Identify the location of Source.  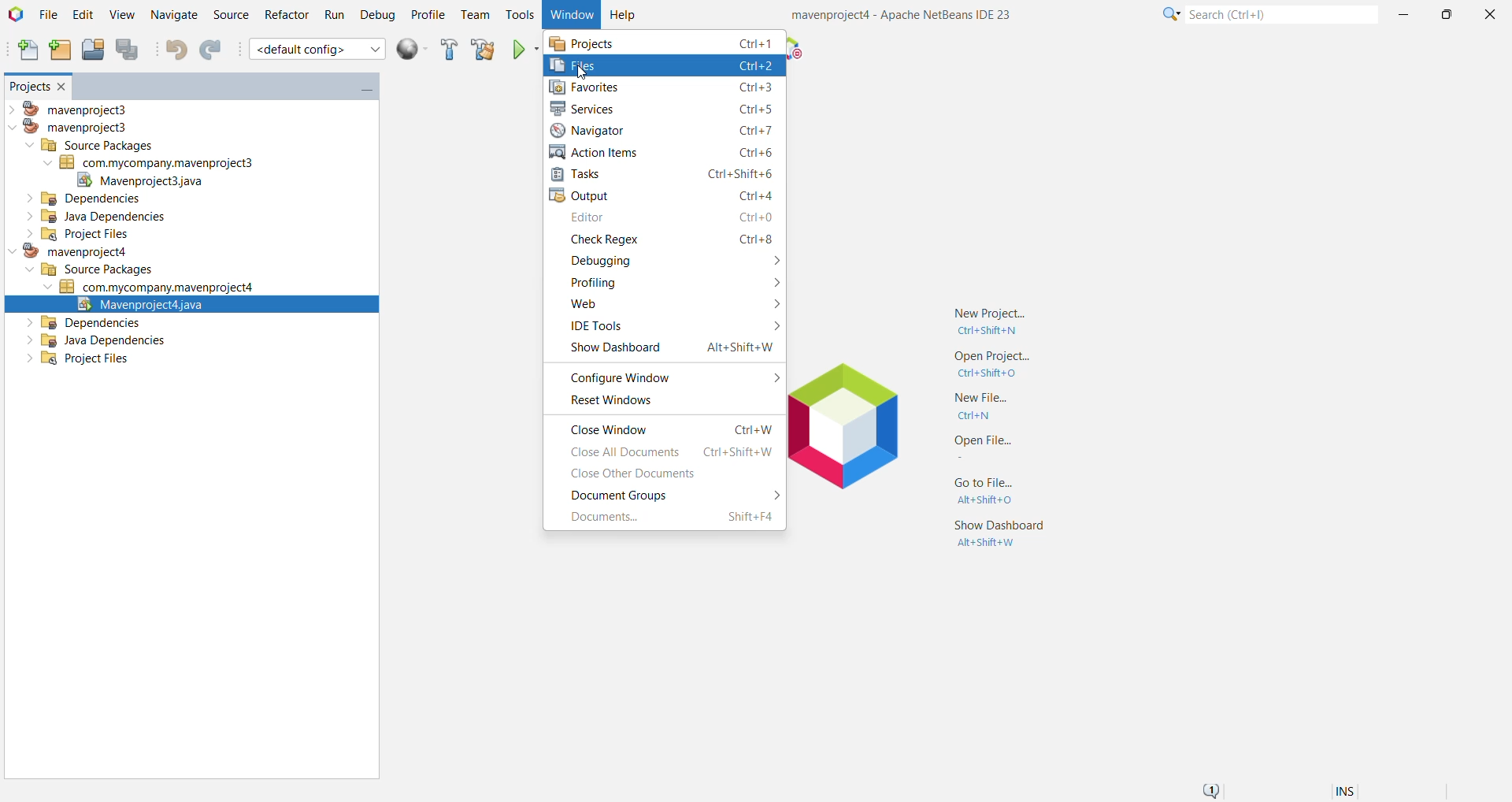
(229, 15).